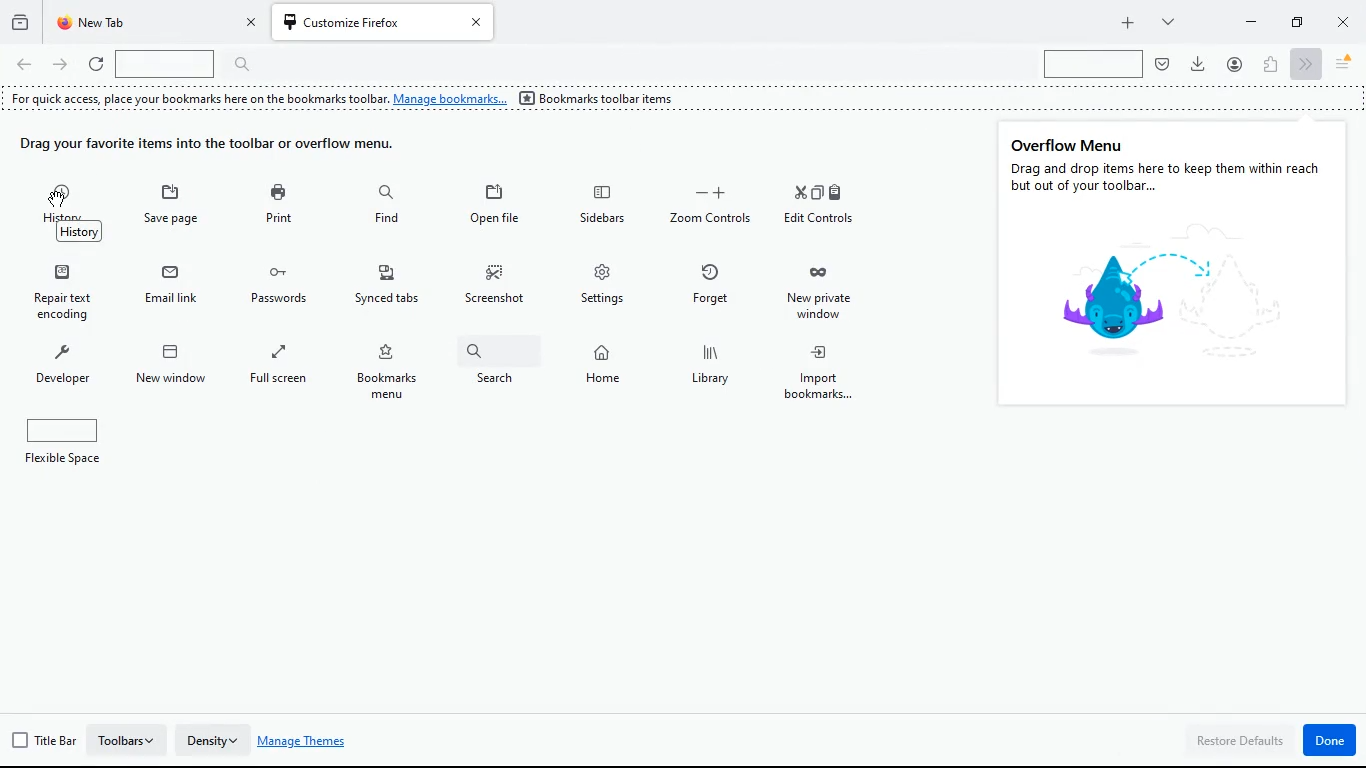 This screenshot has width=1366, height=768. What do you see at coordinates (283, 287) in the screenshot?
I see `passwords` at bounding box center [283, 287].